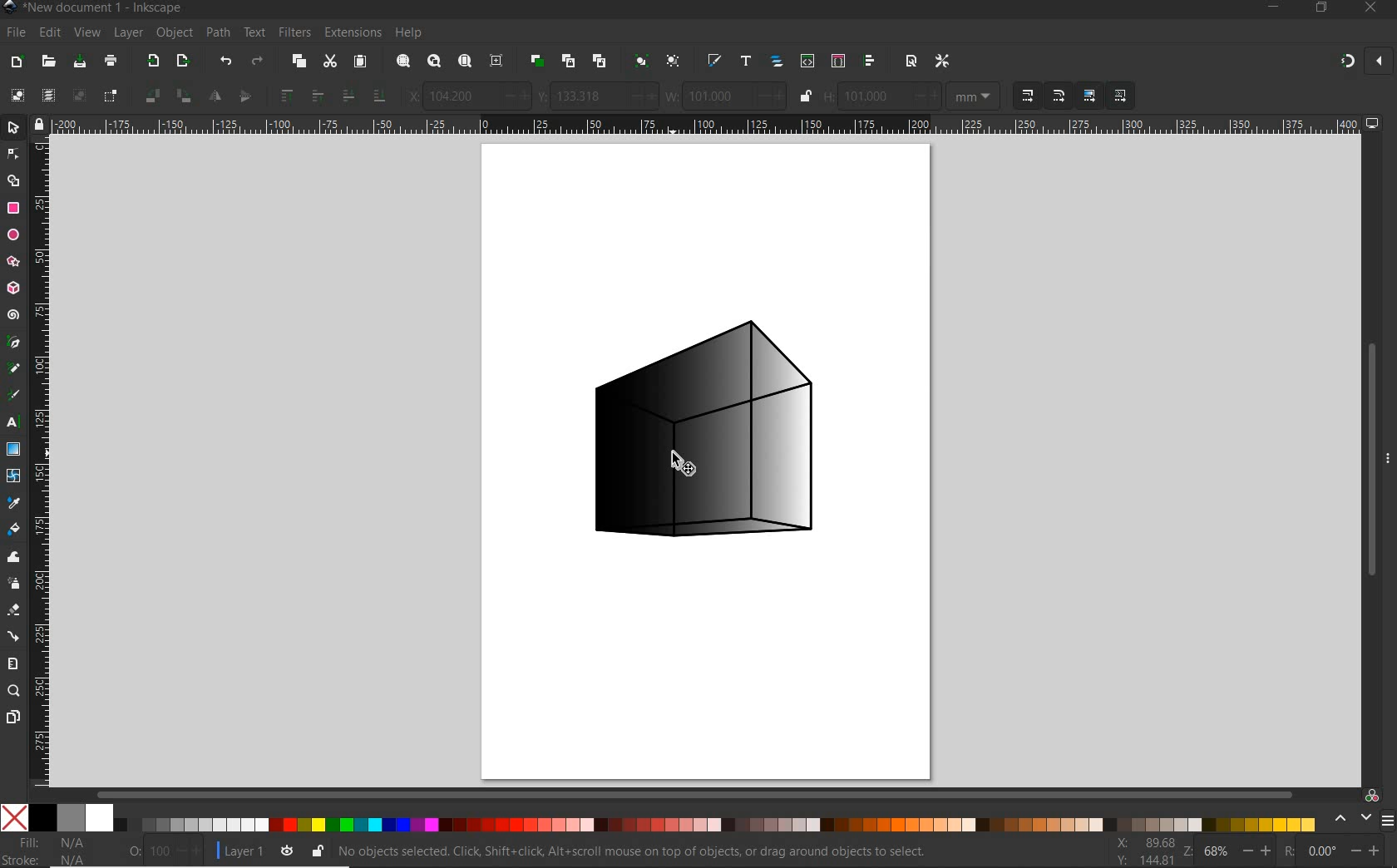  What do you see at coordinates (351, 33) in the screenshot?
I see `EXTENSIONS` at bounding box center [351, 33].